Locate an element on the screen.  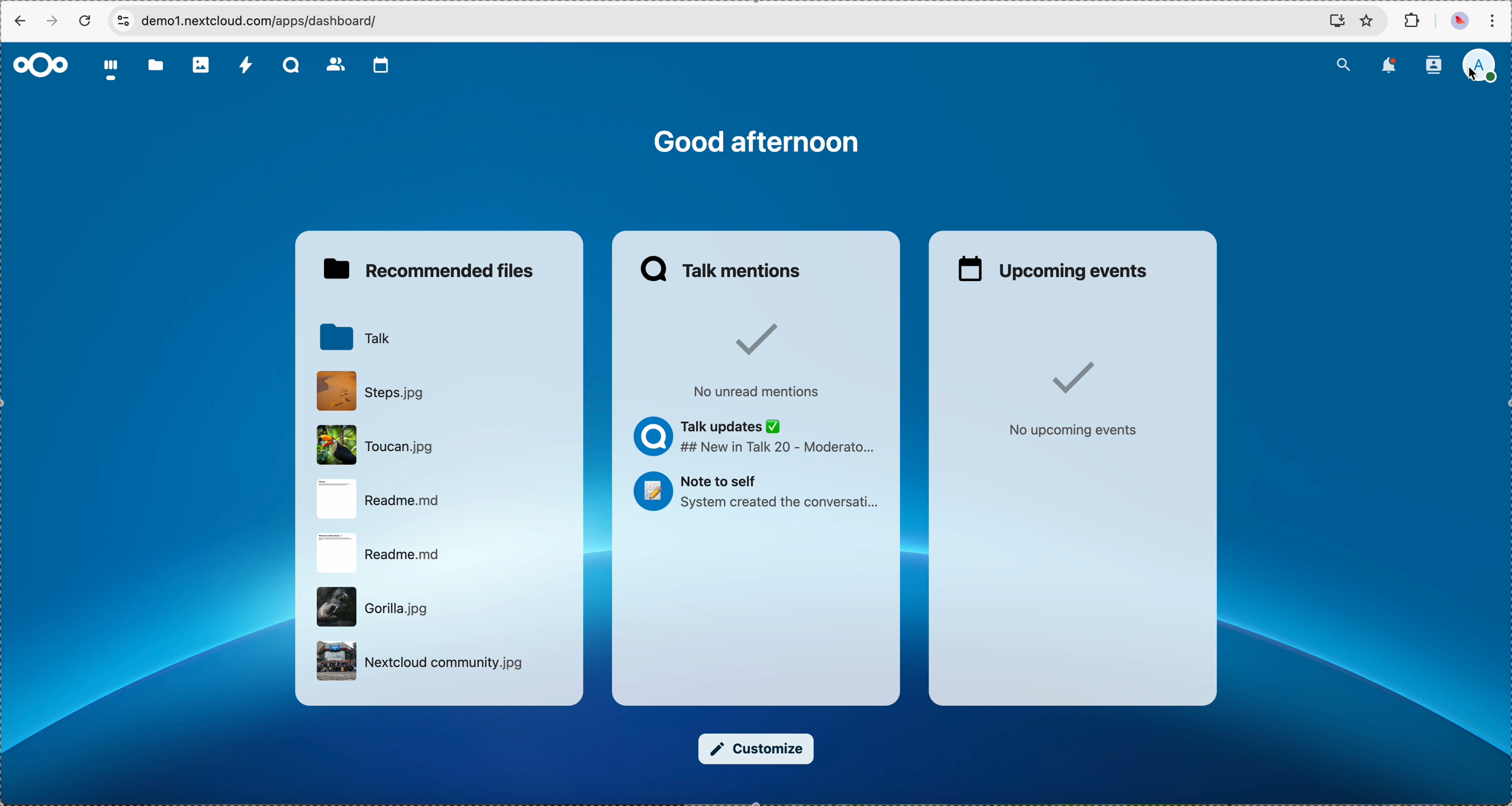
no unread mentions is located at coordinates (753, 360).